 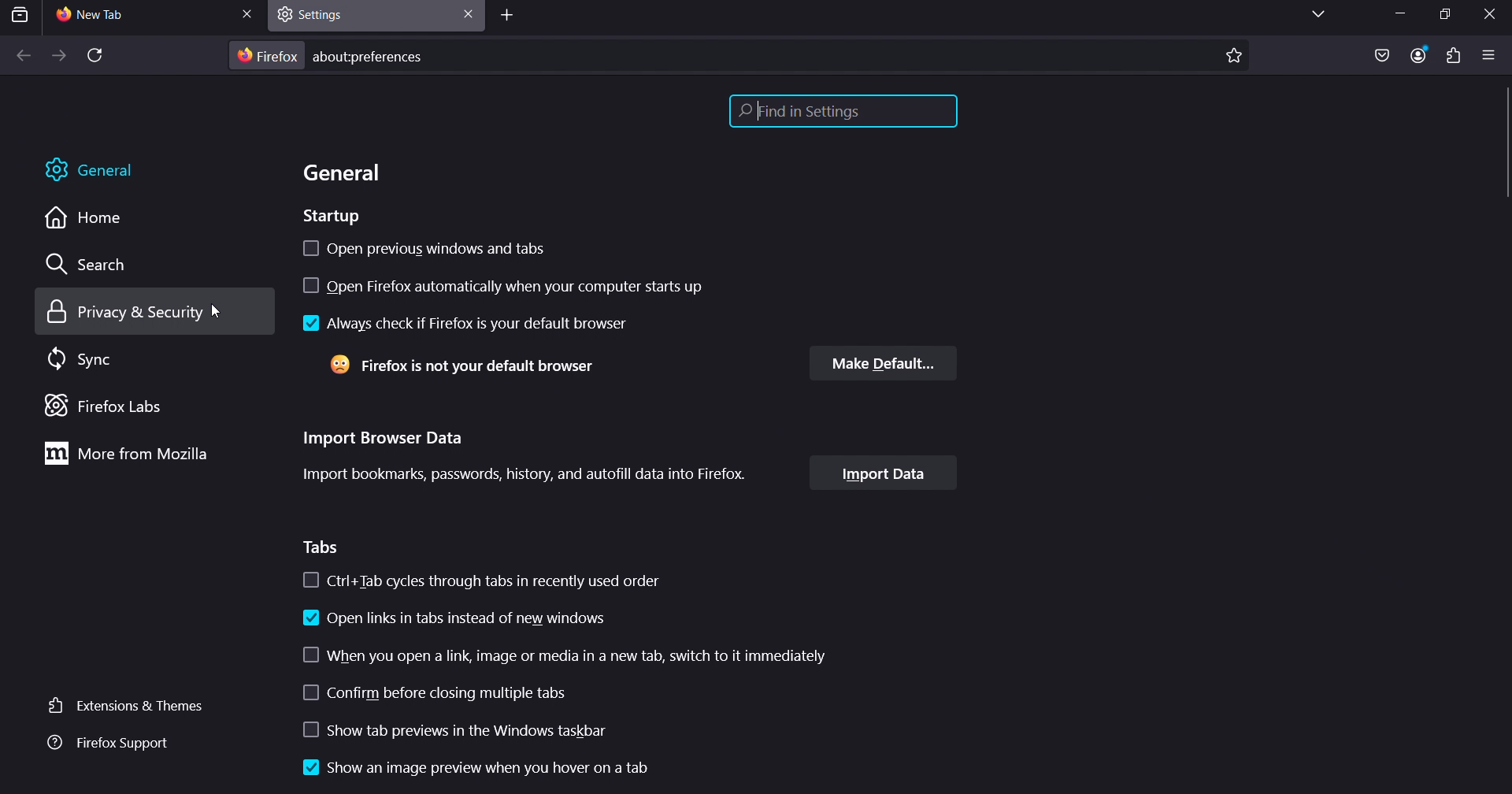 What do you see at coordinates (457, 622) in the screenshot?
I see `open links in tabs instead of new windows` at bounding box center [457, 622].